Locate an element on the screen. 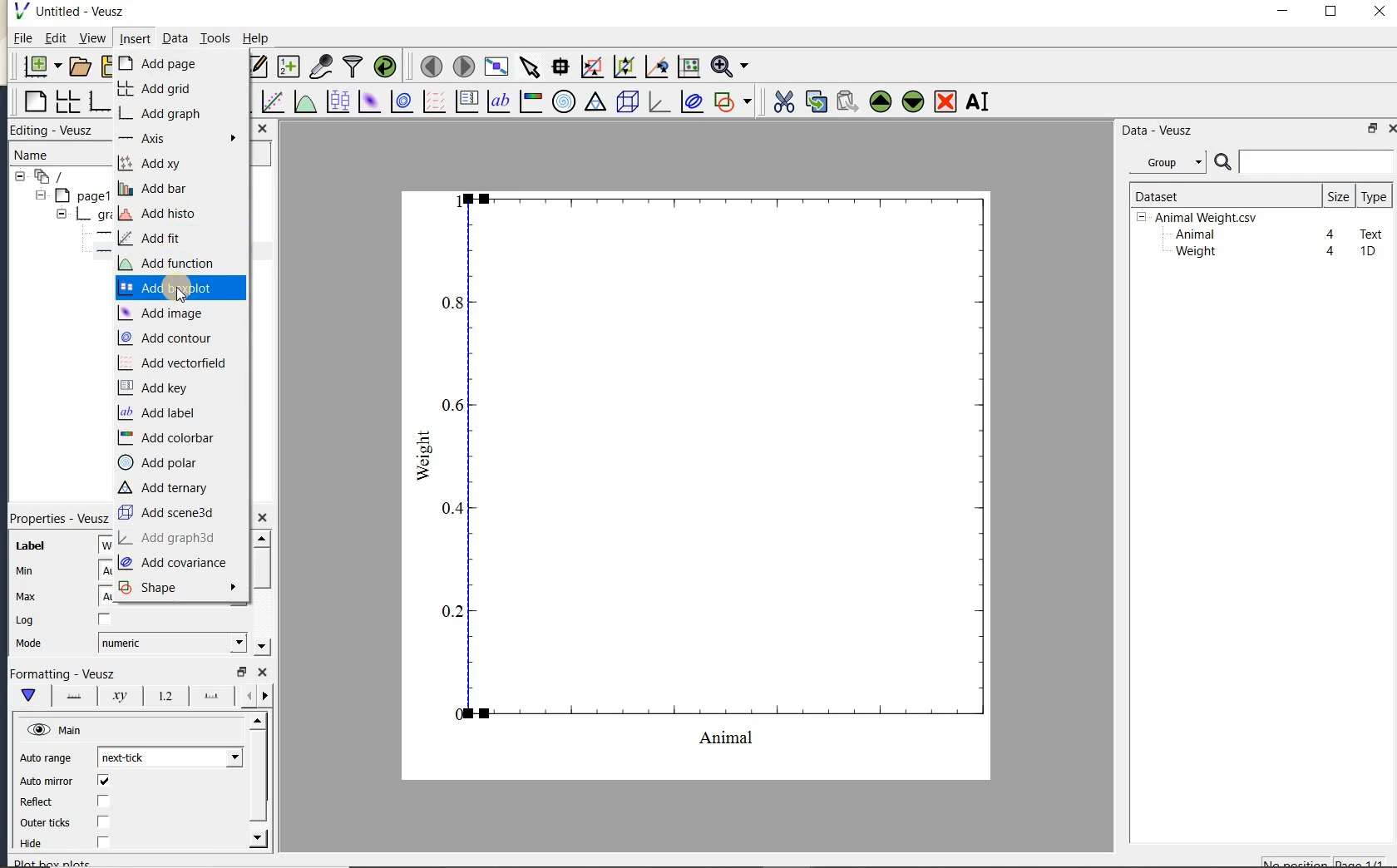 This screenshot has height=868, width=1397. Auto range is located at coordinates (46, 758).